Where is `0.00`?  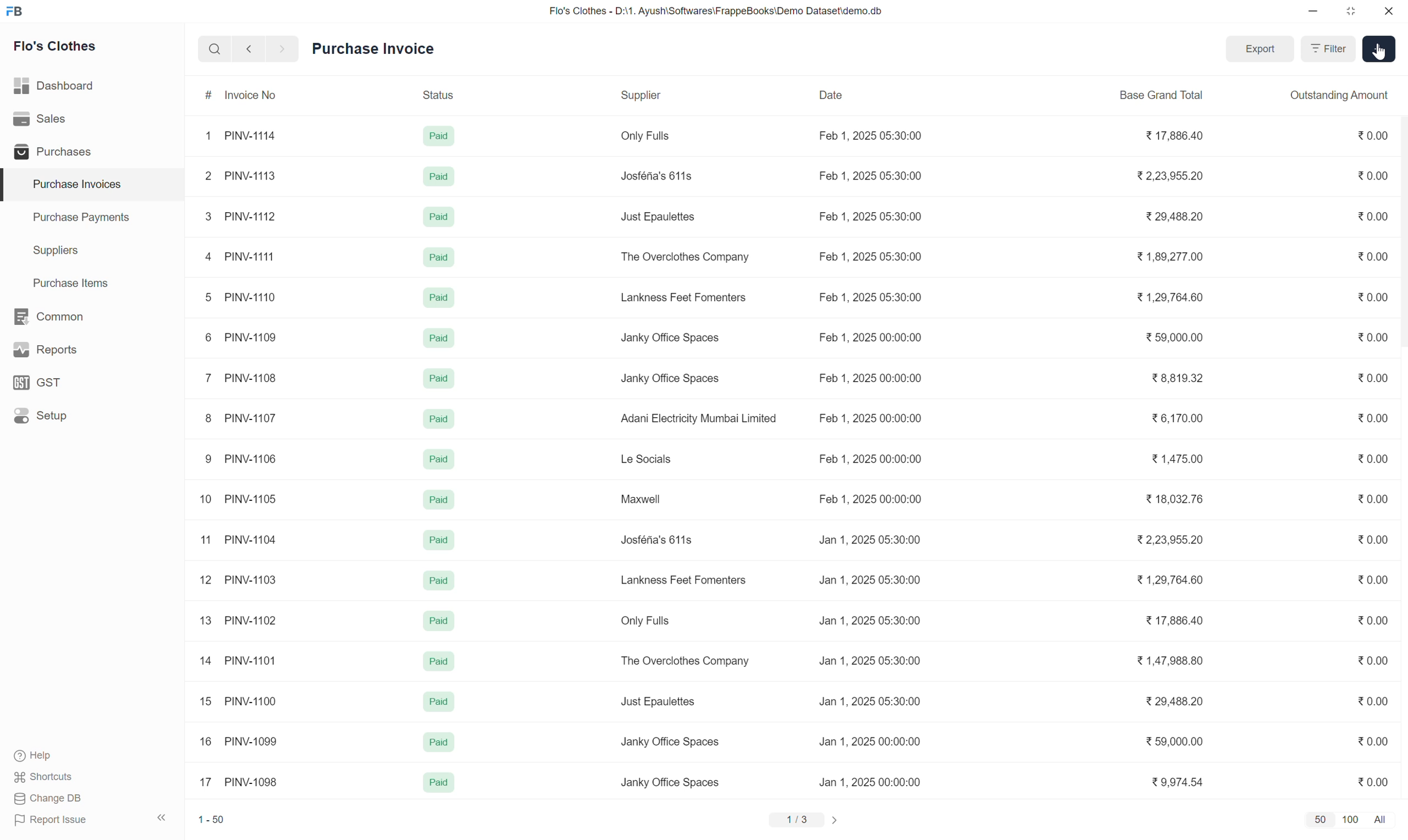
0.00 is located at coordinates (1373, 255).